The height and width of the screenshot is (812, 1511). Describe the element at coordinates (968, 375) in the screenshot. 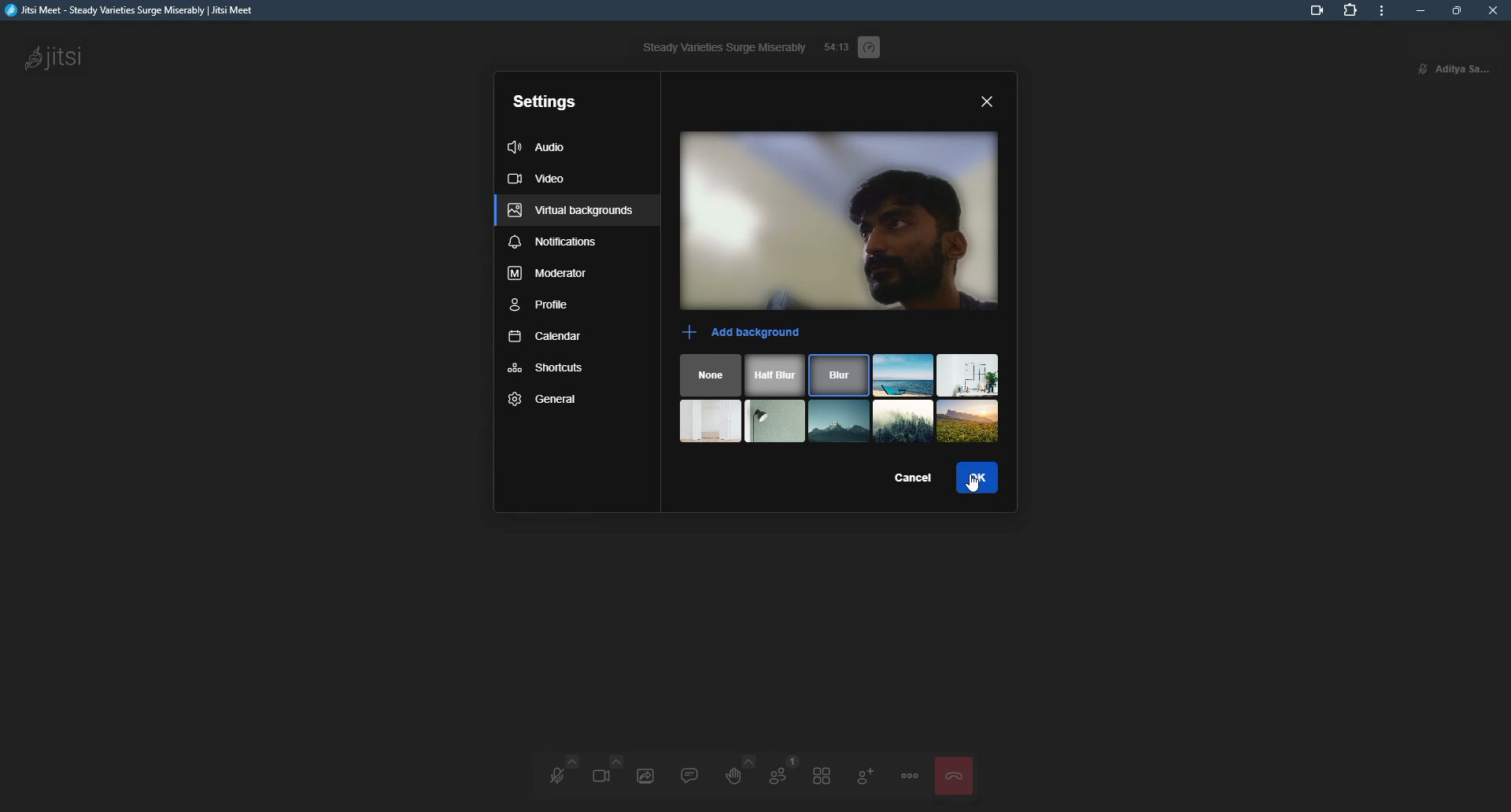

I see `scenery` at that location.